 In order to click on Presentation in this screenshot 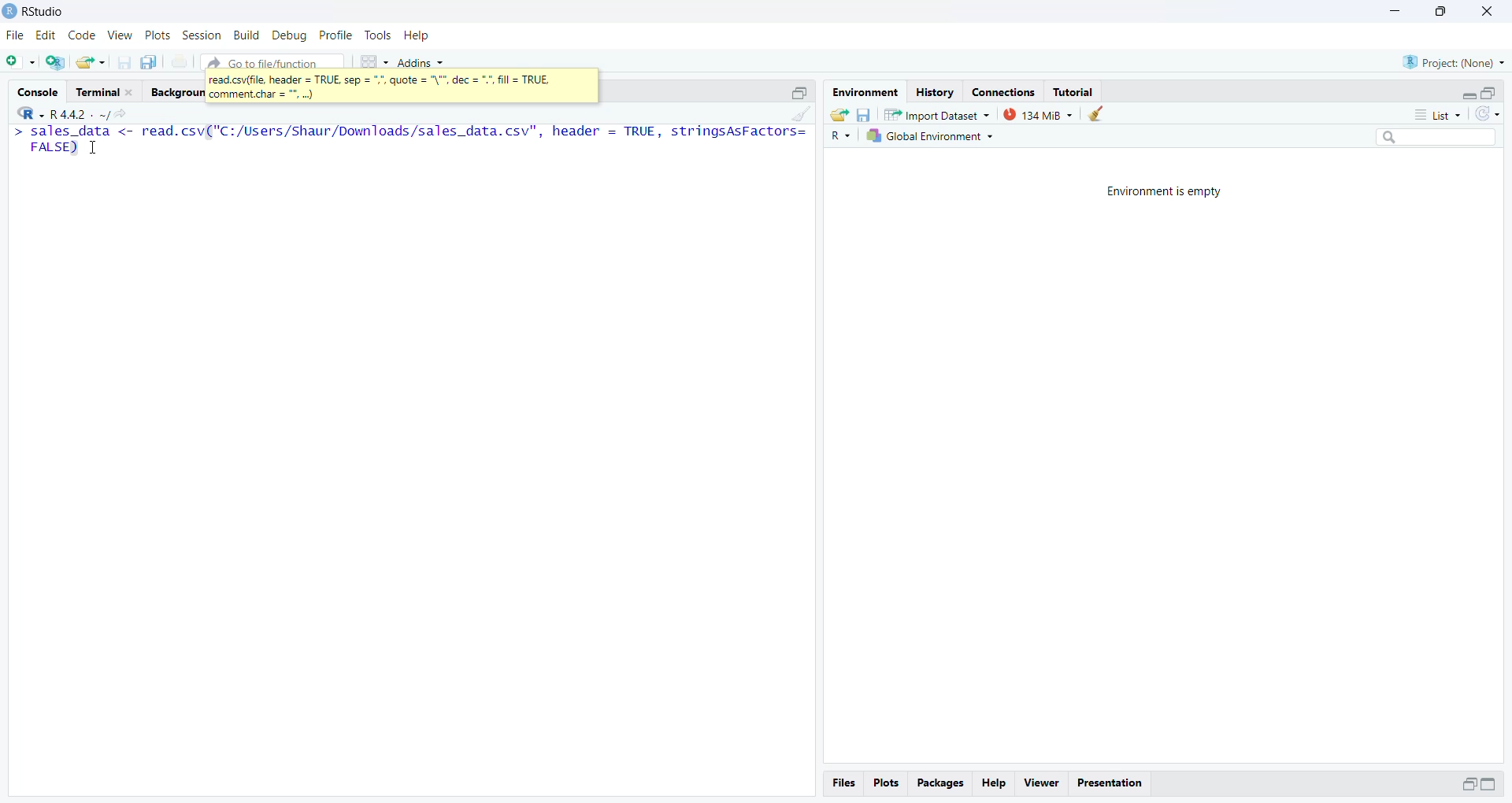, I will do `click(1112, 783)`.